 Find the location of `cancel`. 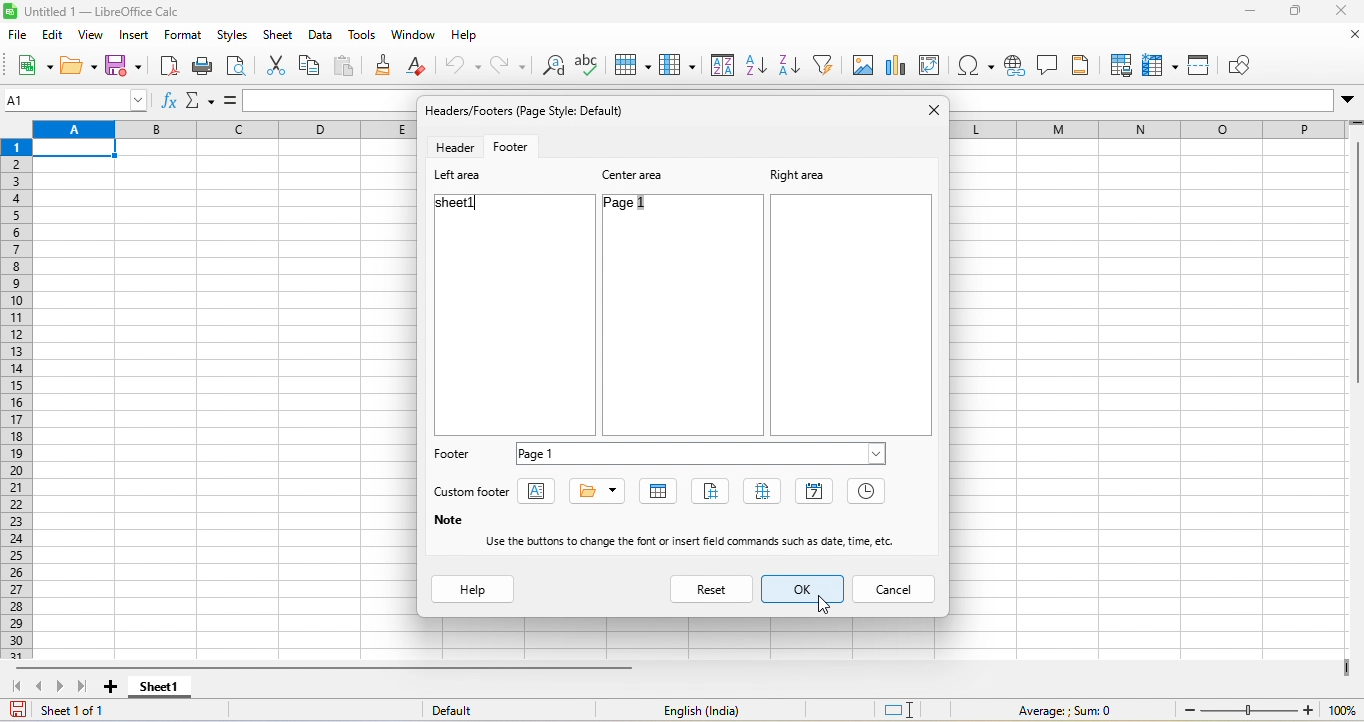

cancel is located at coordinates (896, 588).